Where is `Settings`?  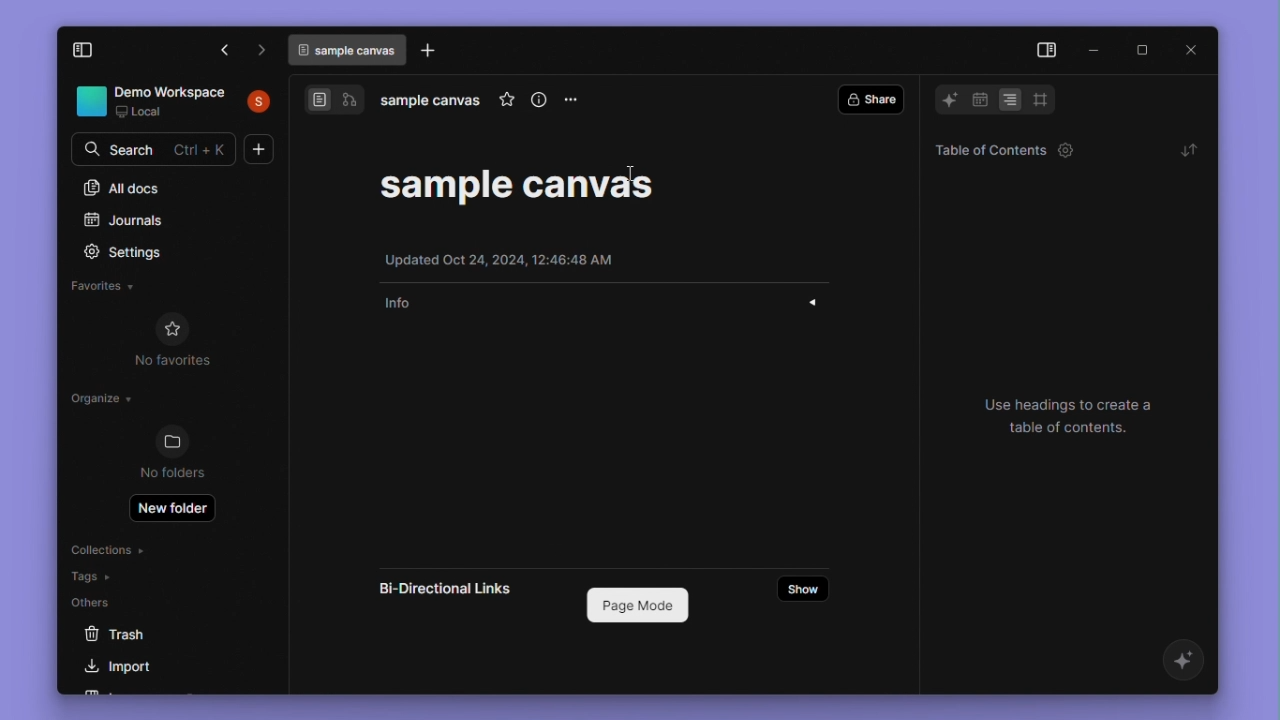 Settings is located at coordinates (136, 252).